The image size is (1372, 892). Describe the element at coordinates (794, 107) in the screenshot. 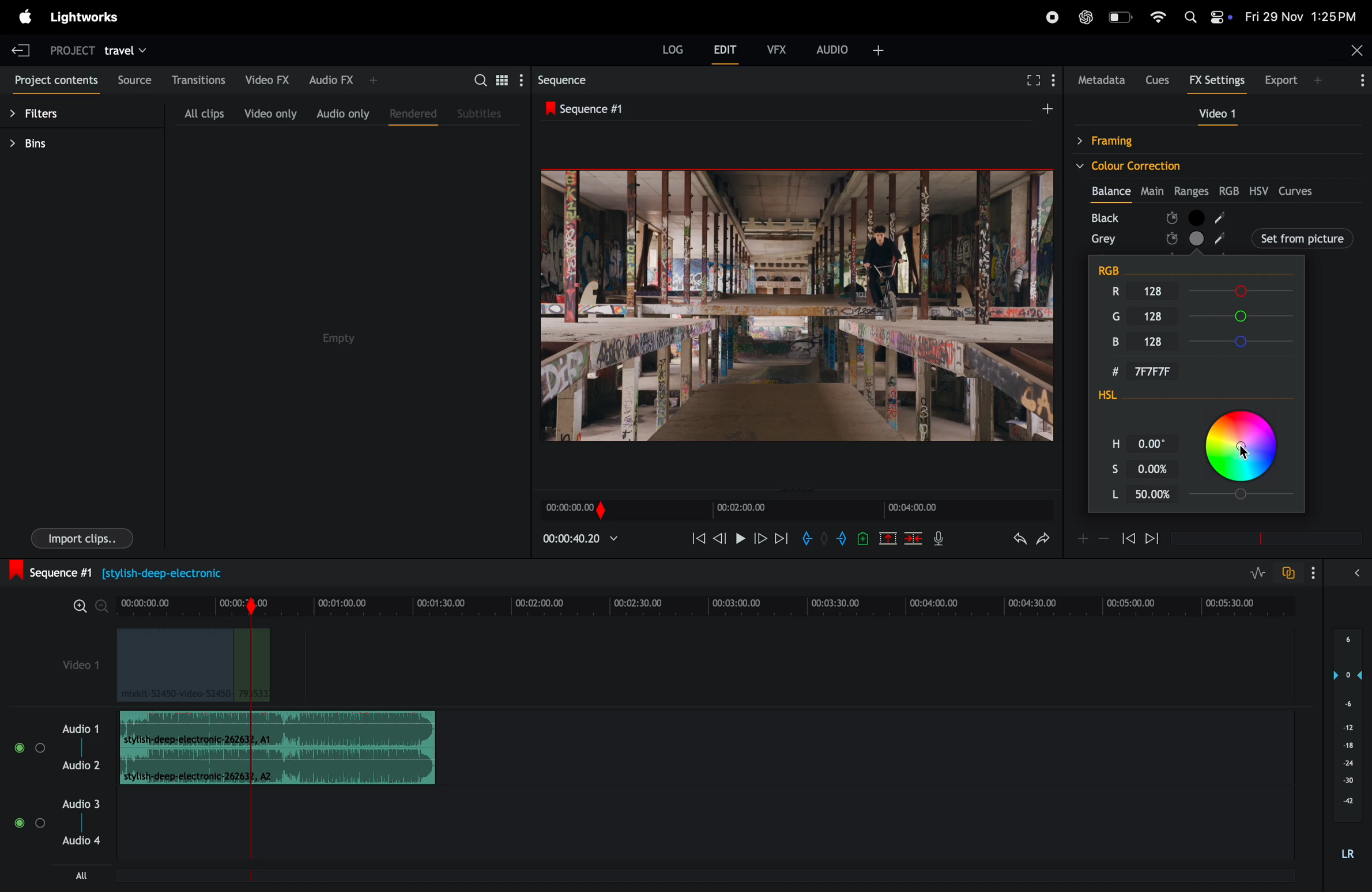

I see `sequence #1` at that location.